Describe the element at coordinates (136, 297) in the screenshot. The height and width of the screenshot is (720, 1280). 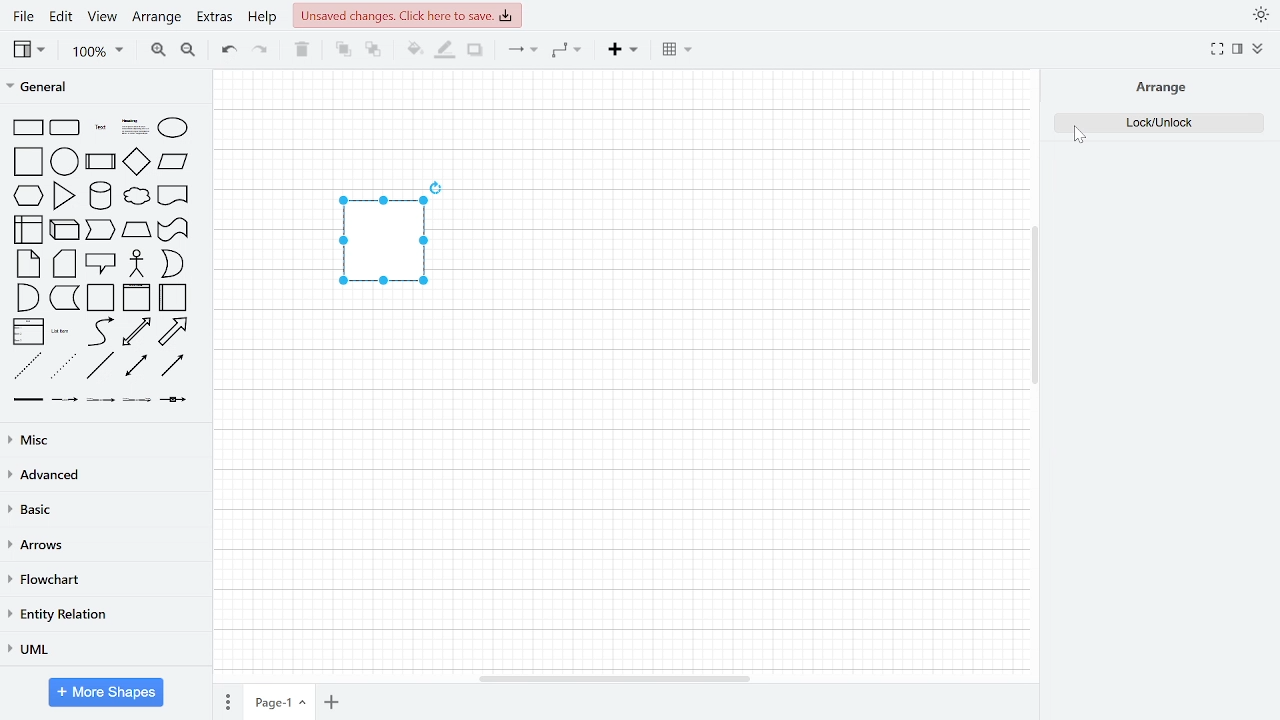
I see `vertical container` at that location.